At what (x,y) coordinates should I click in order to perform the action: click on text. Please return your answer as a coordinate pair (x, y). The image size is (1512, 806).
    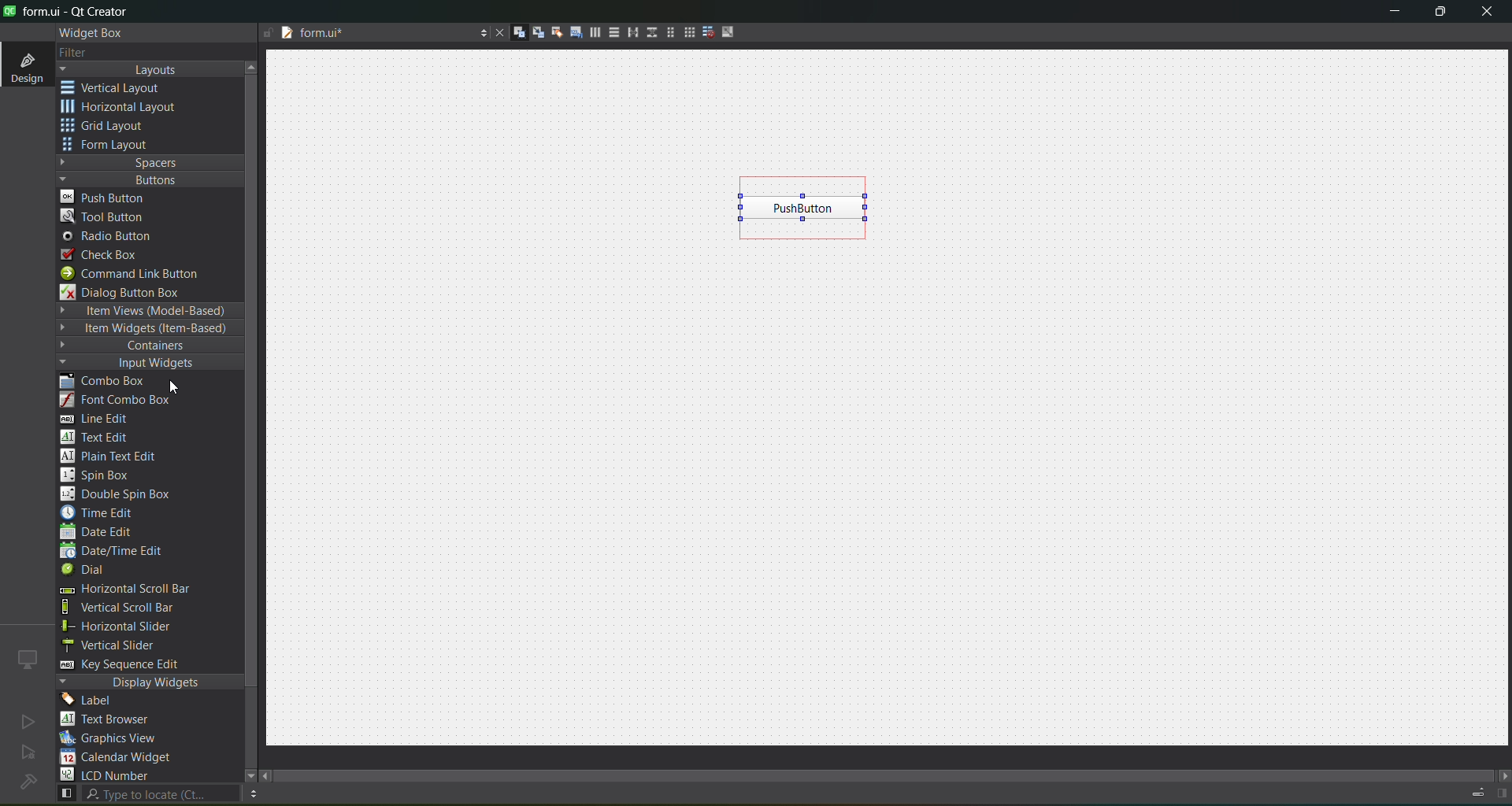
    Looking at the image, I should click on (114, 720).